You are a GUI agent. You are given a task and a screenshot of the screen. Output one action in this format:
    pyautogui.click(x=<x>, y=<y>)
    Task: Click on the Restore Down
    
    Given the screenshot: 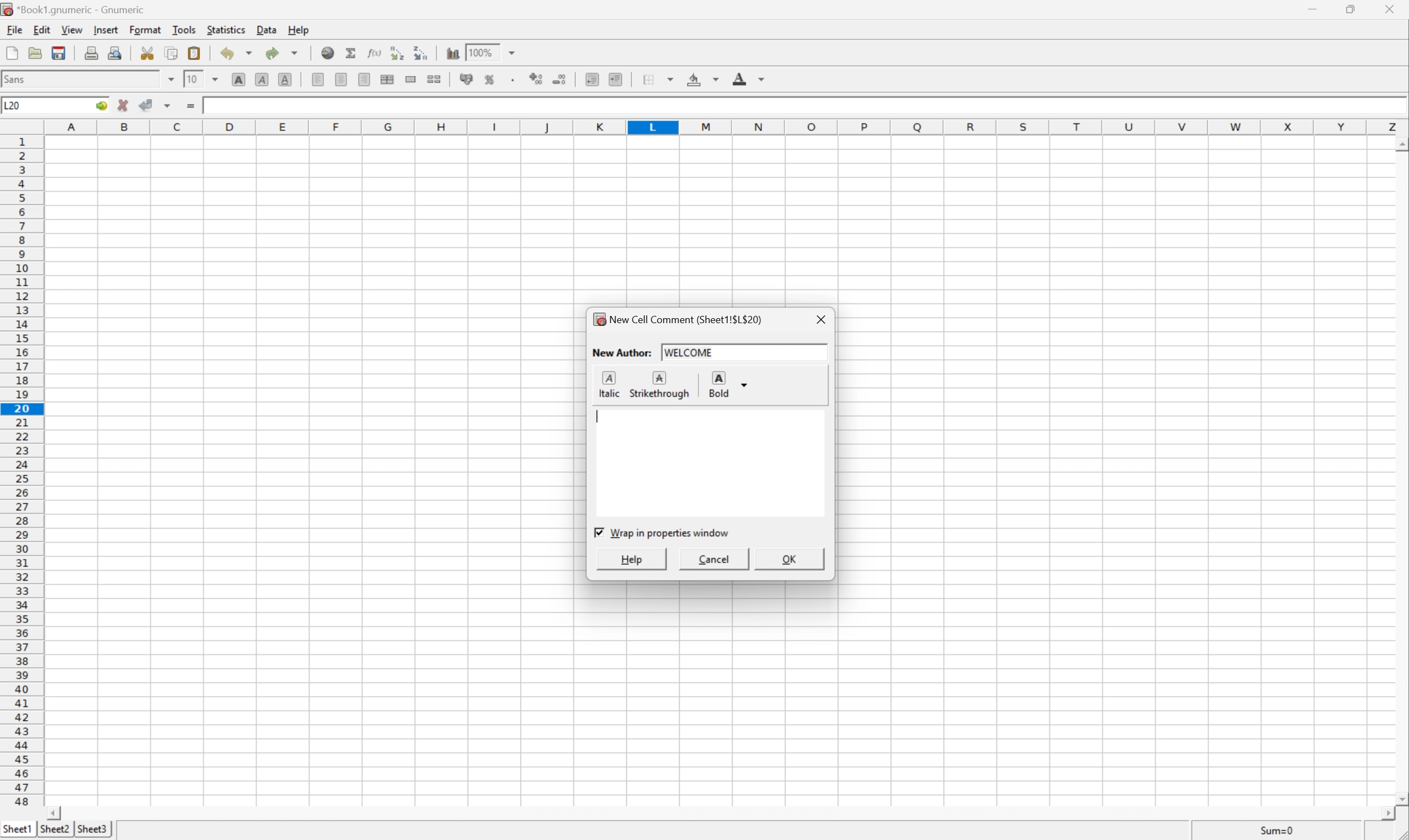 What is the action you would take?
    pyautogui.click(x=1347, y=10)
    